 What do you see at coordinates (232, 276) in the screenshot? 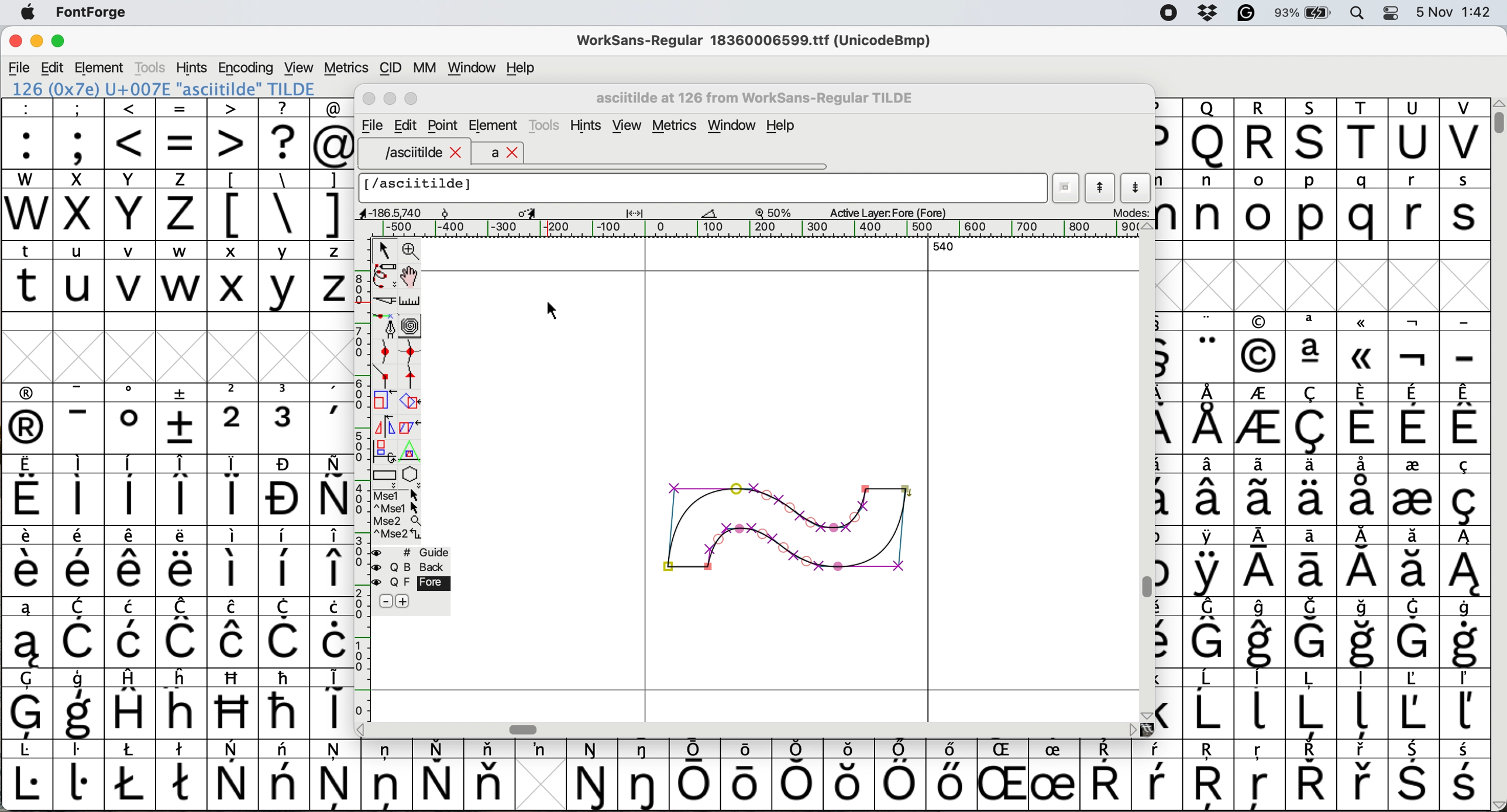
I see `x` at bounding box center [232, 276].